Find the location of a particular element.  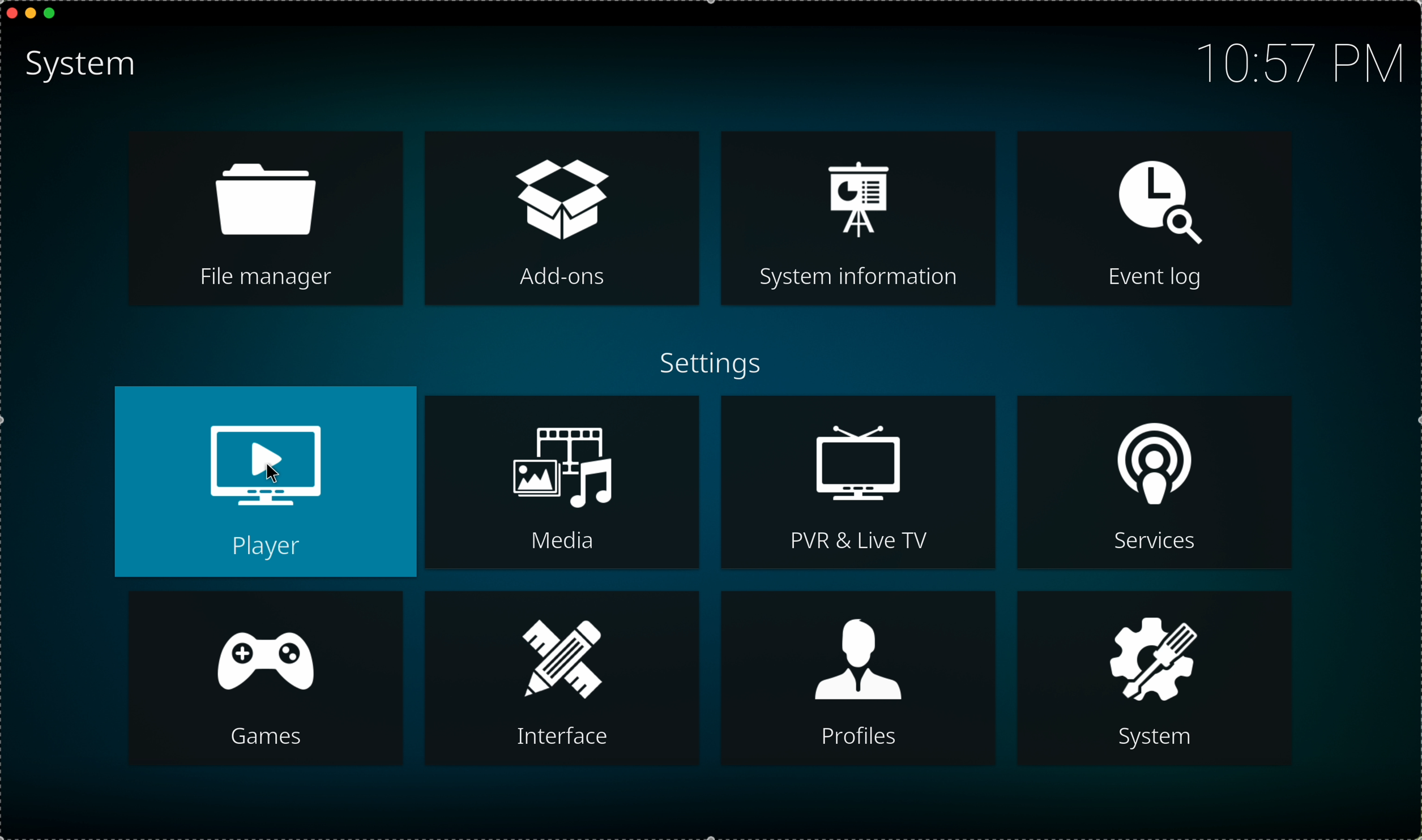

cursor is located at coordinates (270, 475).